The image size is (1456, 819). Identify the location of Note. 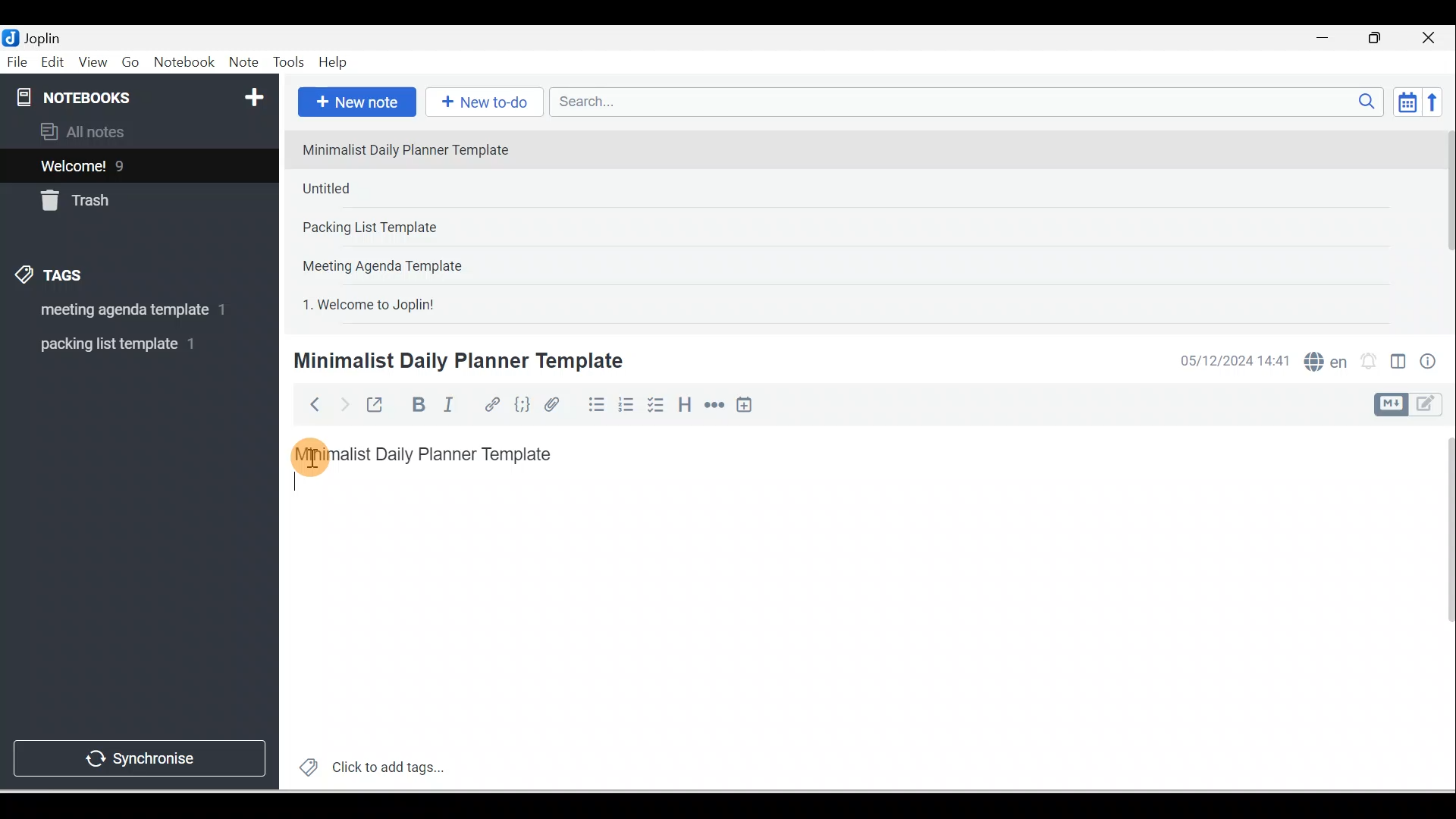
(242, 63).